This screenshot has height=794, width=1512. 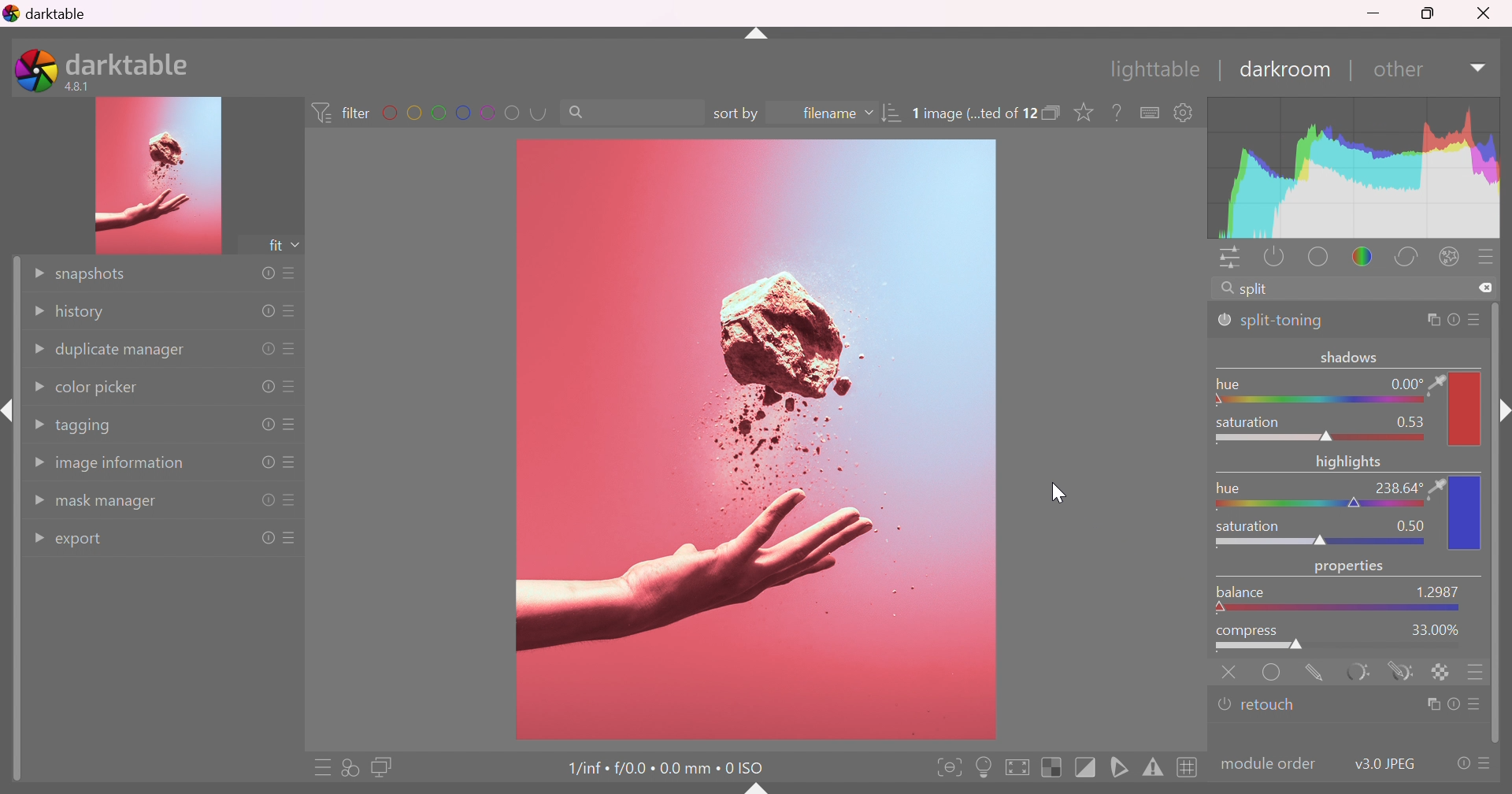 What do you see at coordinates (736, 114) in the screenshot?
I see `sort by` at bounding box center [736, 114].